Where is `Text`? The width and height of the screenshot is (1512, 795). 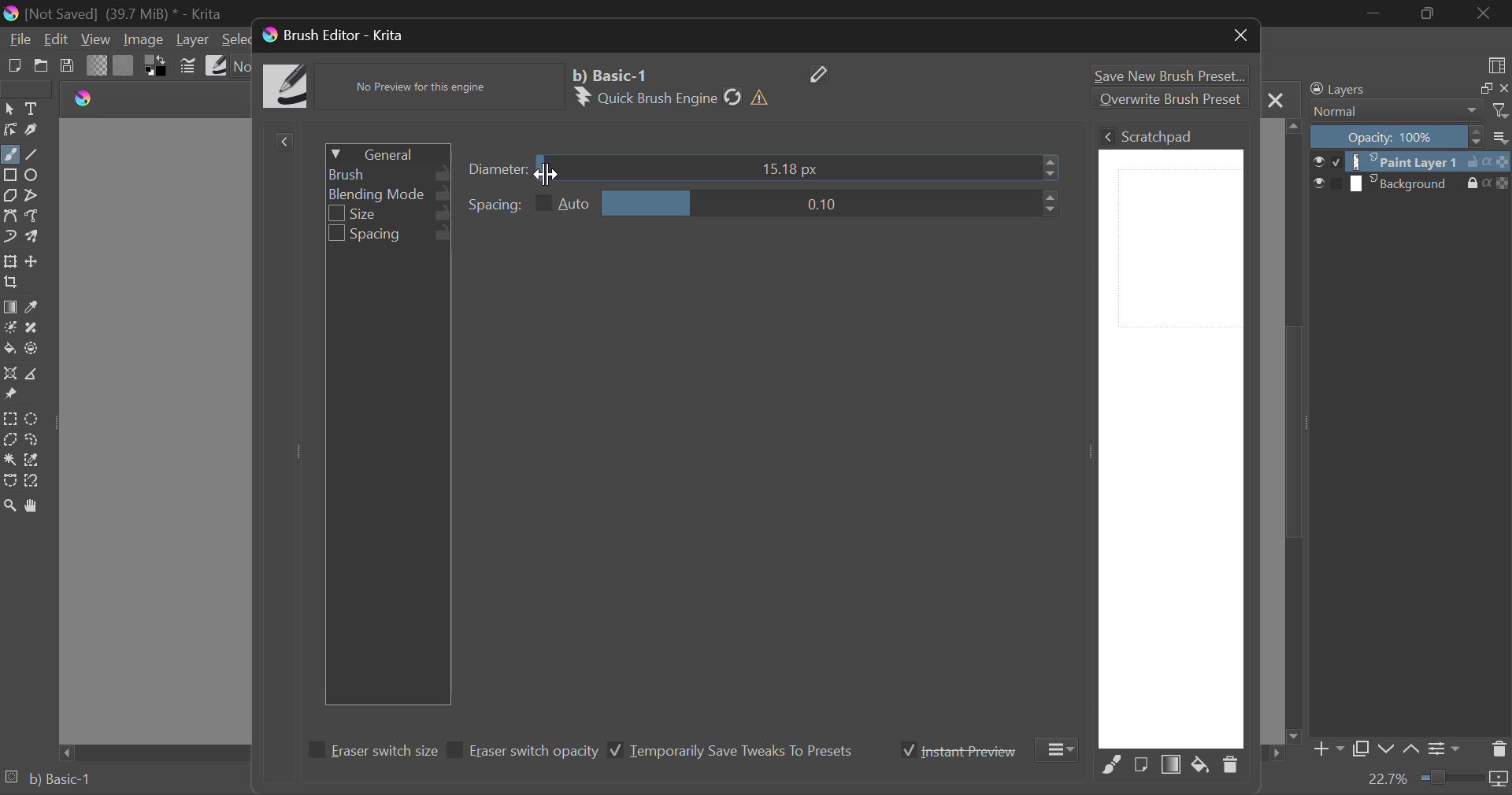
Text is located at coordinates (31, 109).